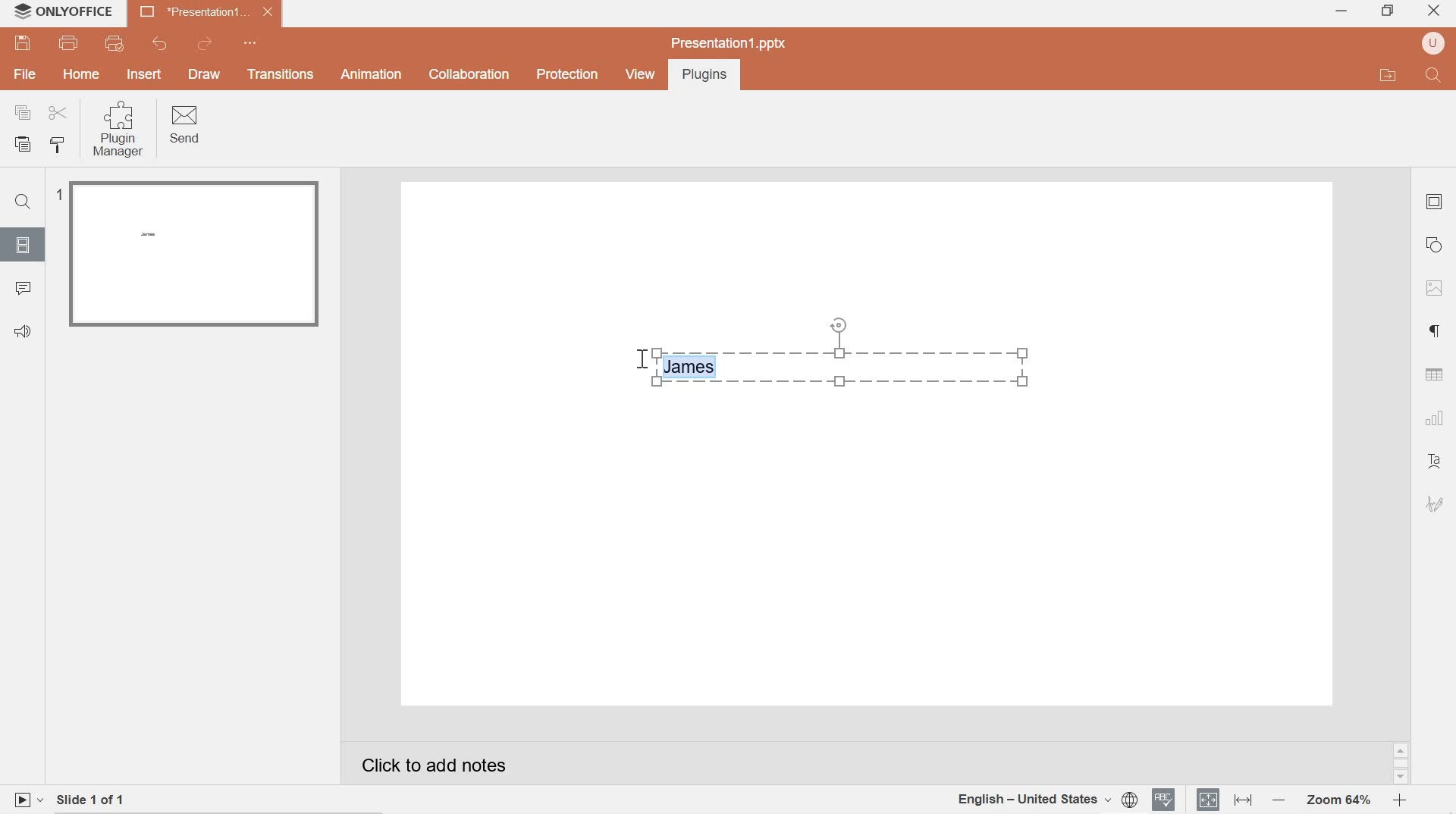 The height and width of the screenshot is (814, 1456). I want to click on signature, so click(1436, 504).